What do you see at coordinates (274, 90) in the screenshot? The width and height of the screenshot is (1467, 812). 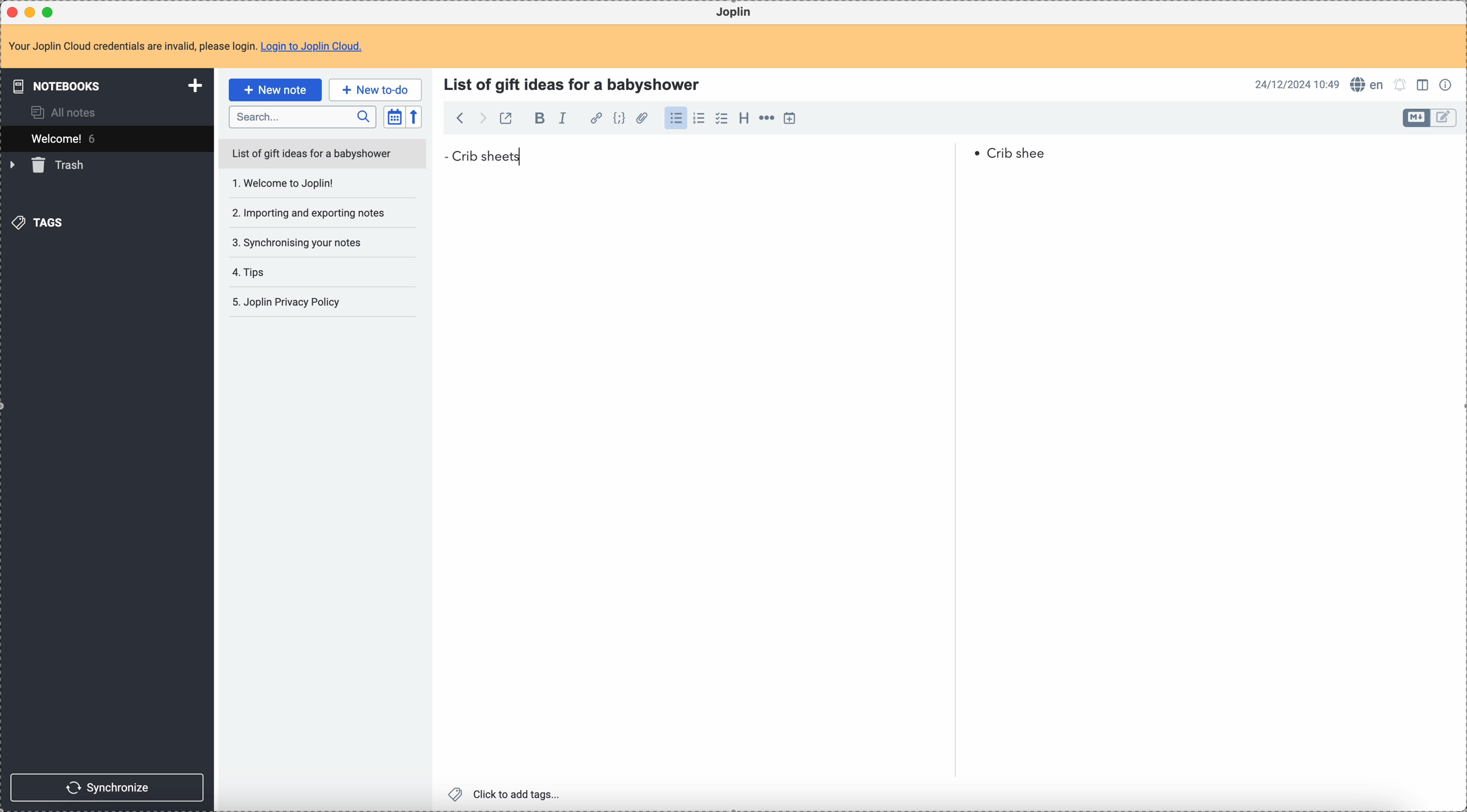 I see `click on new note` at bounding box center [274, 90].